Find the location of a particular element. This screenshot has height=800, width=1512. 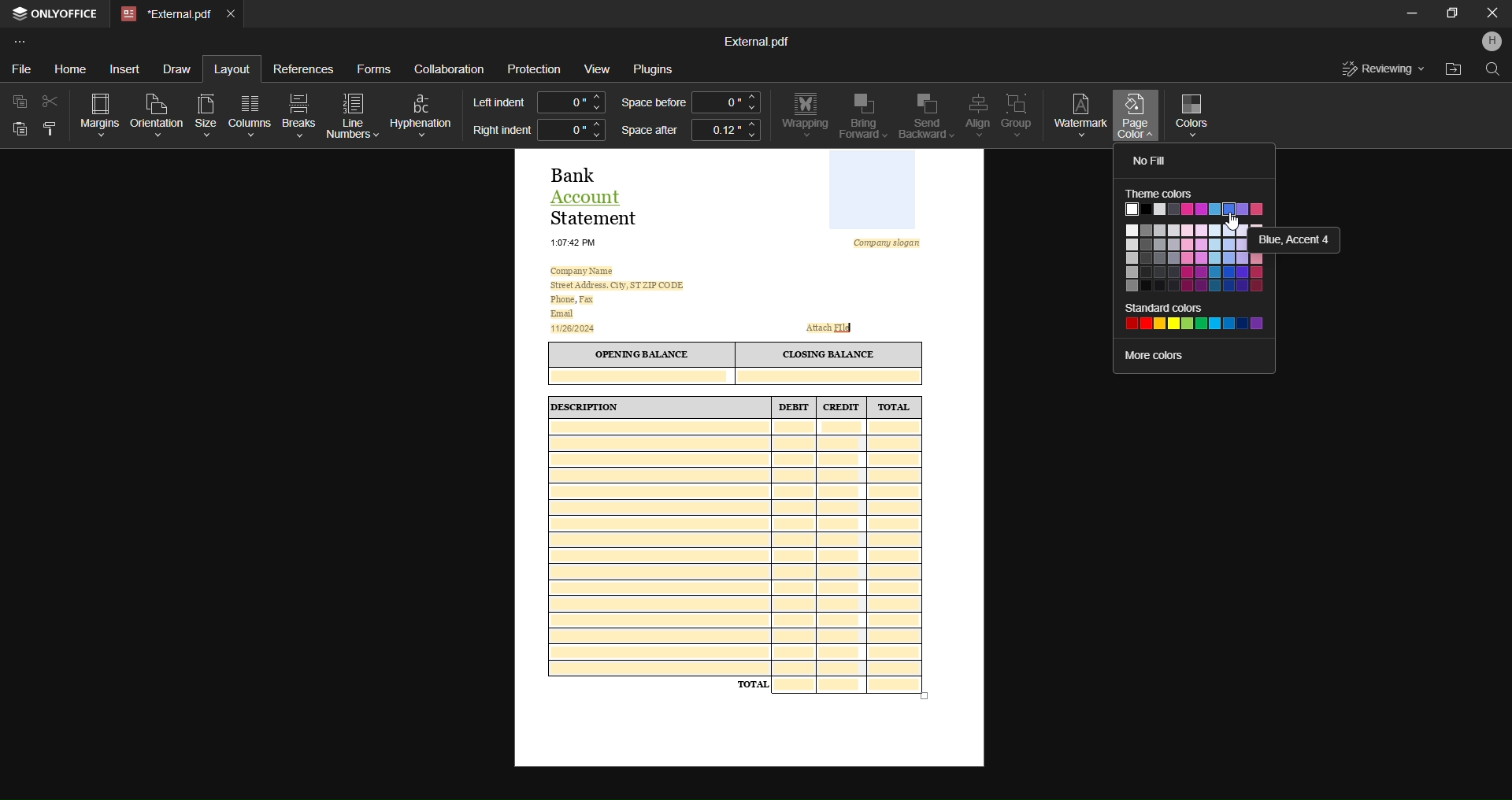

This is a 30 day eviction notice informing tenants that they must either pay overdue rent, correct a lease violation, or vacate the premises due to illegal activity. Failure to comply will result in legal actions. is located at coordinates (750, 458).